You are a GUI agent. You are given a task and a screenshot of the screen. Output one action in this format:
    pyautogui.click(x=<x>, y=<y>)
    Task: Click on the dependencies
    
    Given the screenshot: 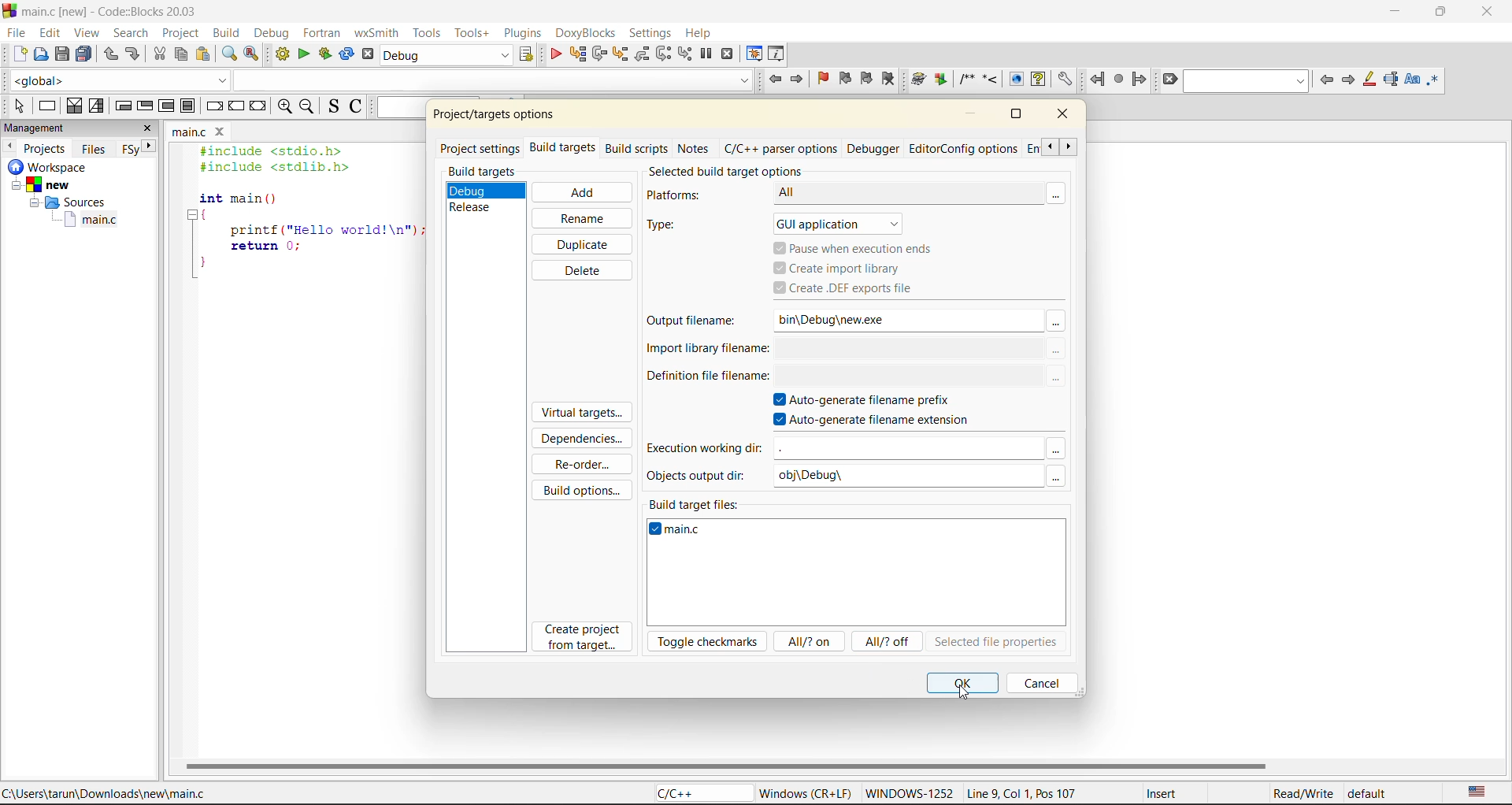 What is the action you would take?
    pyautogui.click(x=584, y=436)
    